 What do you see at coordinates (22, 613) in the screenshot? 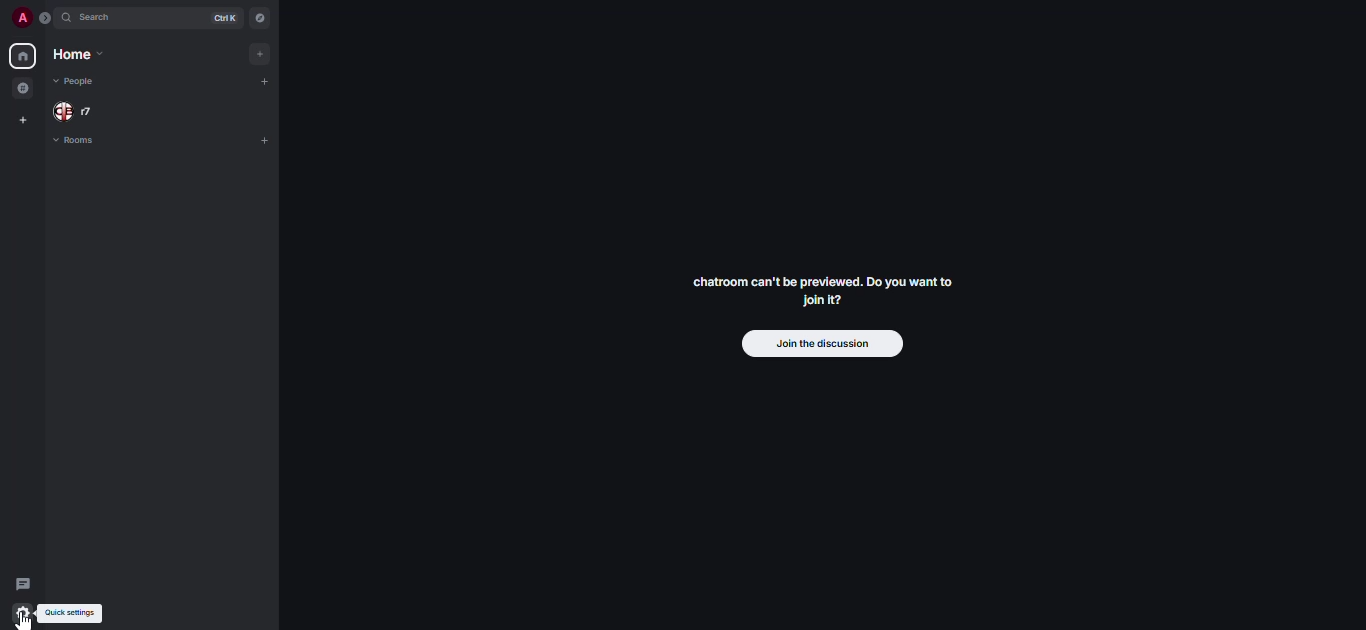
I see `quick settings` at bounding box center [22, 613].